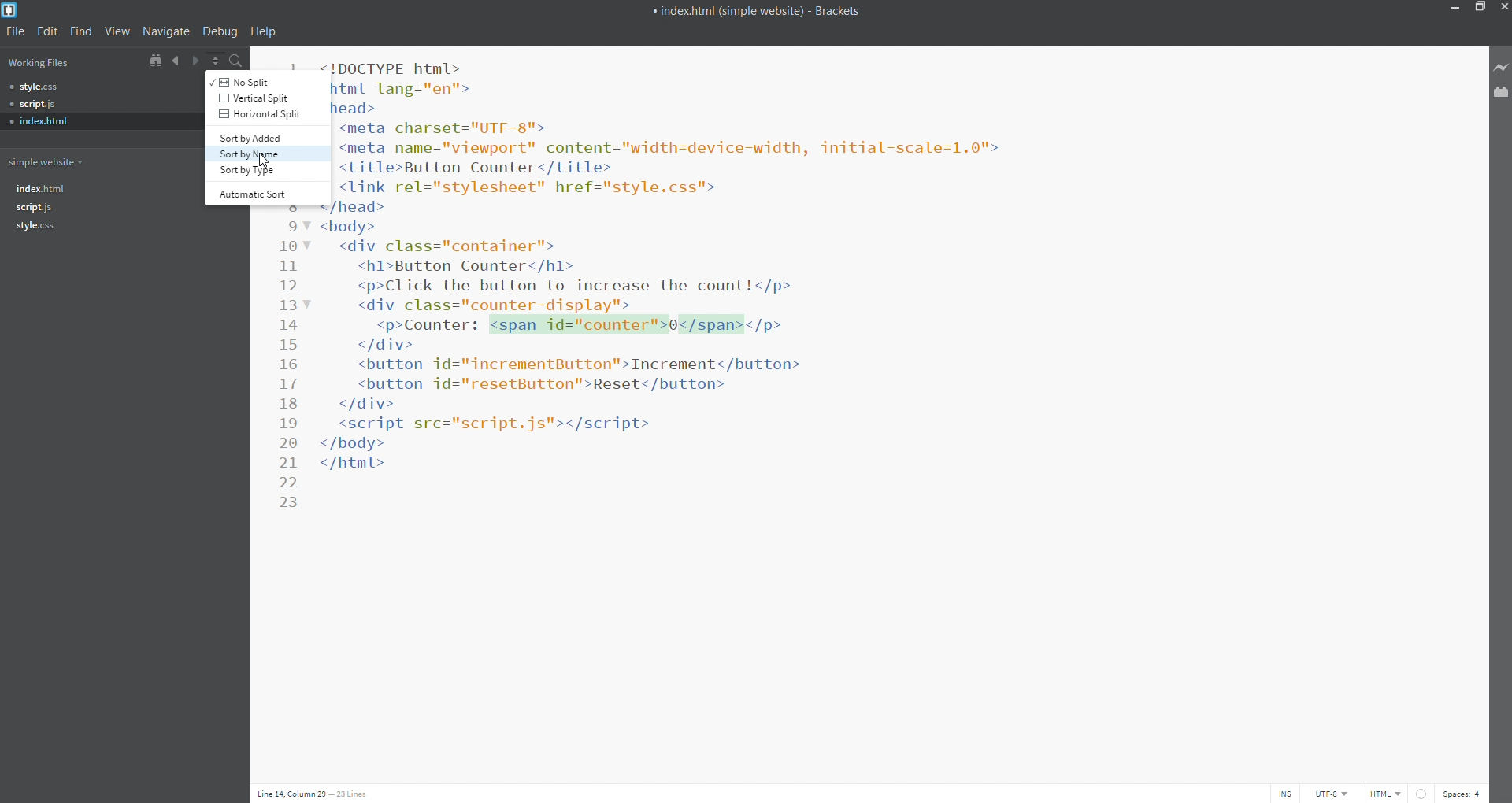 Image resolution: width=1512 pixels, height=803 pixels. I want to click on maximize/restore, so click(1477, 8).